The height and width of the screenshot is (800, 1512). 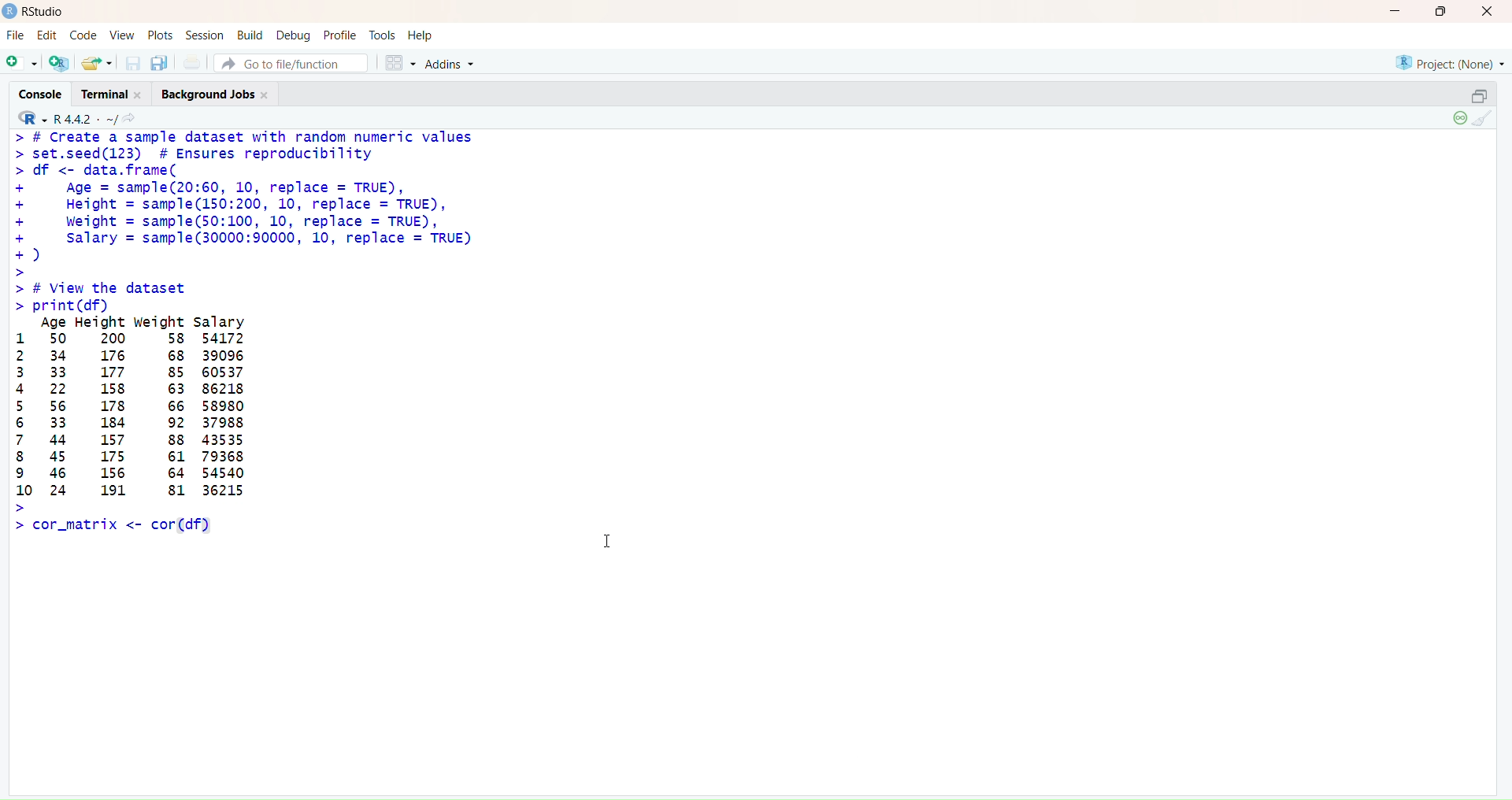 I want to click on FIle, so click(x=16, y=35).